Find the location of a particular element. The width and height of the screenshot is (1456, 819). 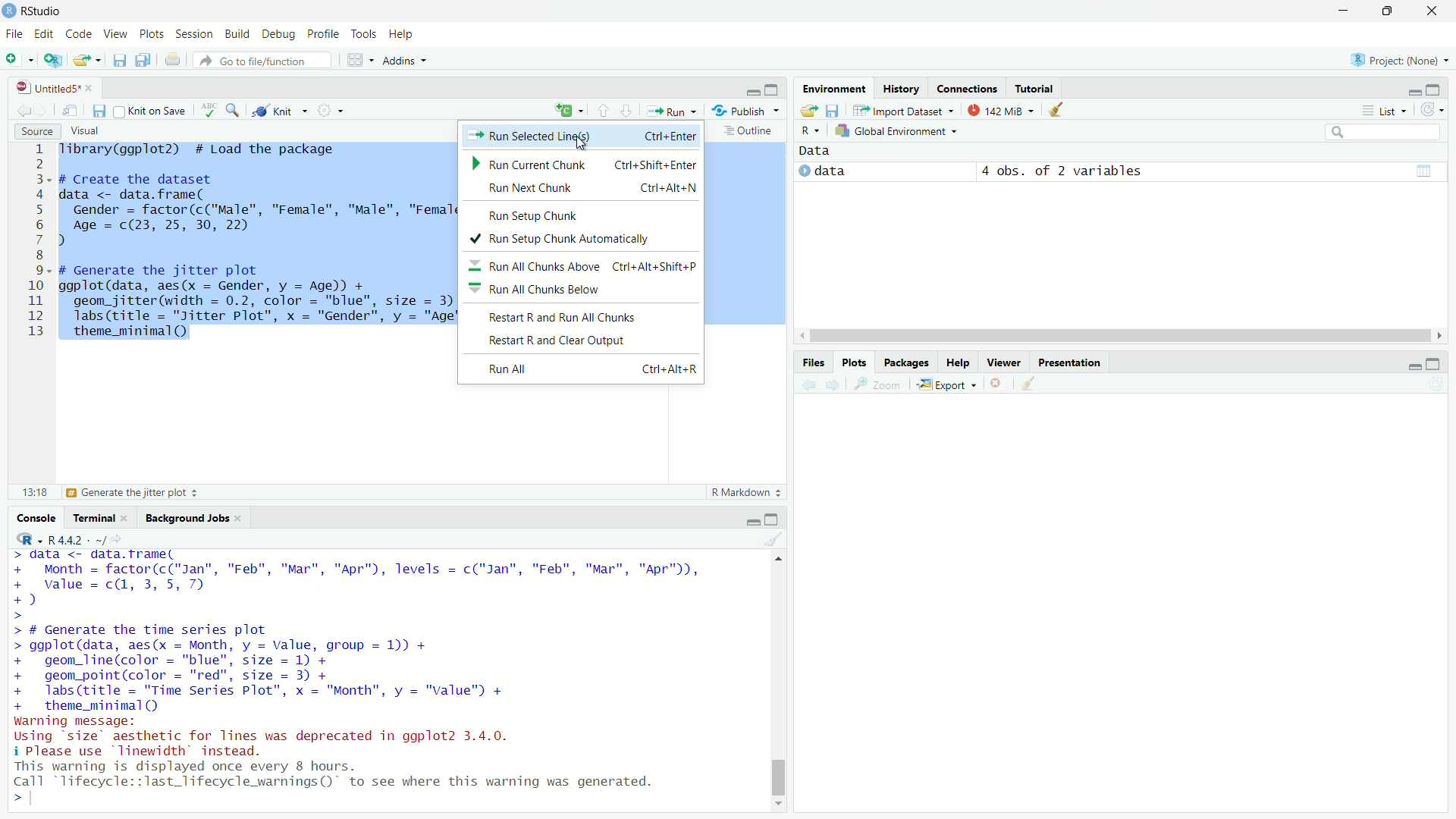

go to file/function is located at coordinates (256, 60).